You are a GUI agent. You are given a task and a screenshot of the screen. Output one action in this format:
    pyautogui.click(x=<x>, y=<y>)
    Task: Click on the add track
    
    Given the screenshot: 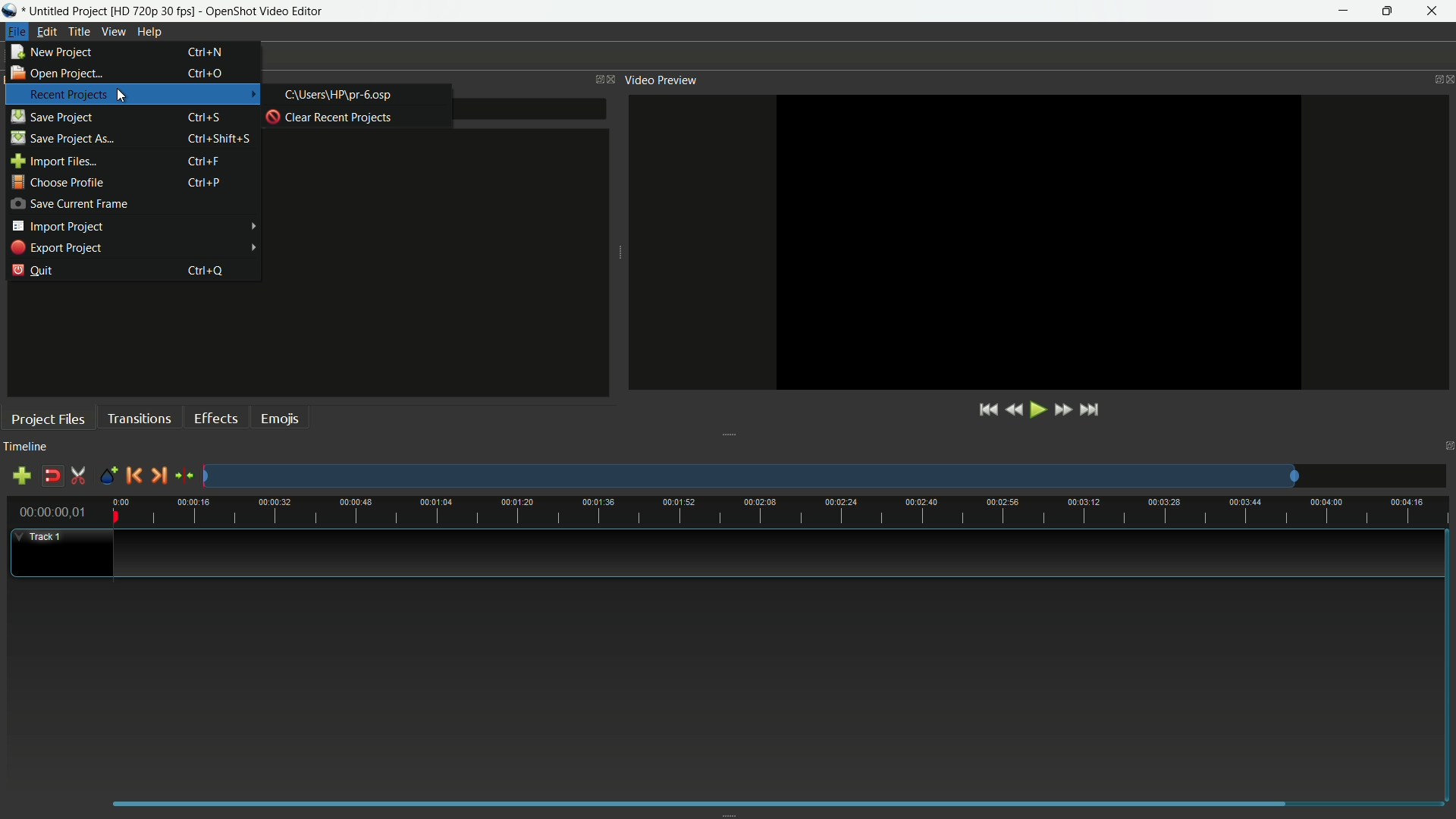 What is the action you would take?
    pyautogui.click(x=21, y=477)
    